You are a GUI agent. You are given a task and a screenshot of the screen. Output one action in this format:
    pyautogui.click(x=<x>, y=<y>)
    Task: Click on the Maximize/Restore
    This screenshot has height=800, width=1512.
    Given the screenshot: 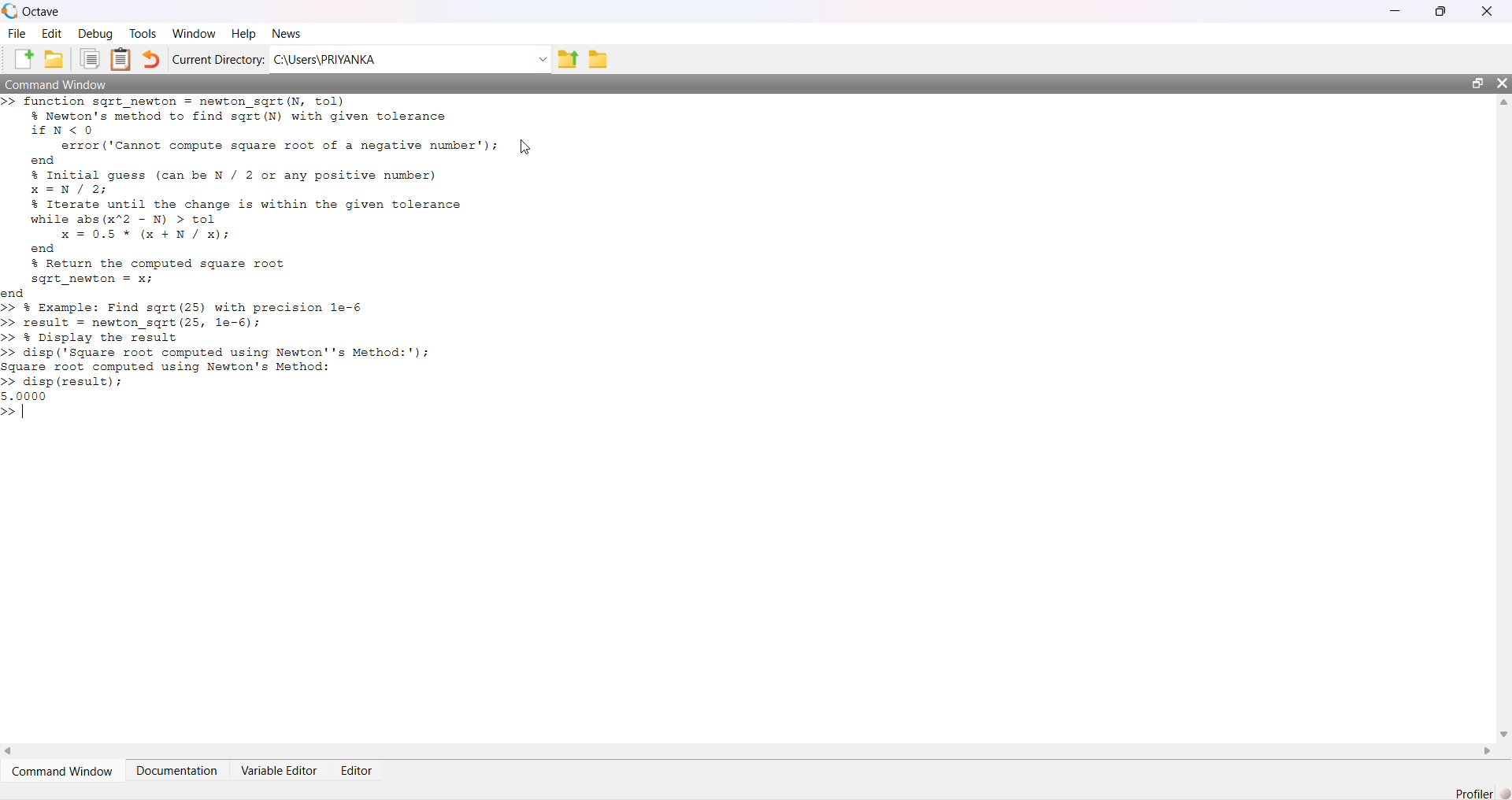 What is the action you would take?
    pyautogui.click(x=1478, y=84)
    